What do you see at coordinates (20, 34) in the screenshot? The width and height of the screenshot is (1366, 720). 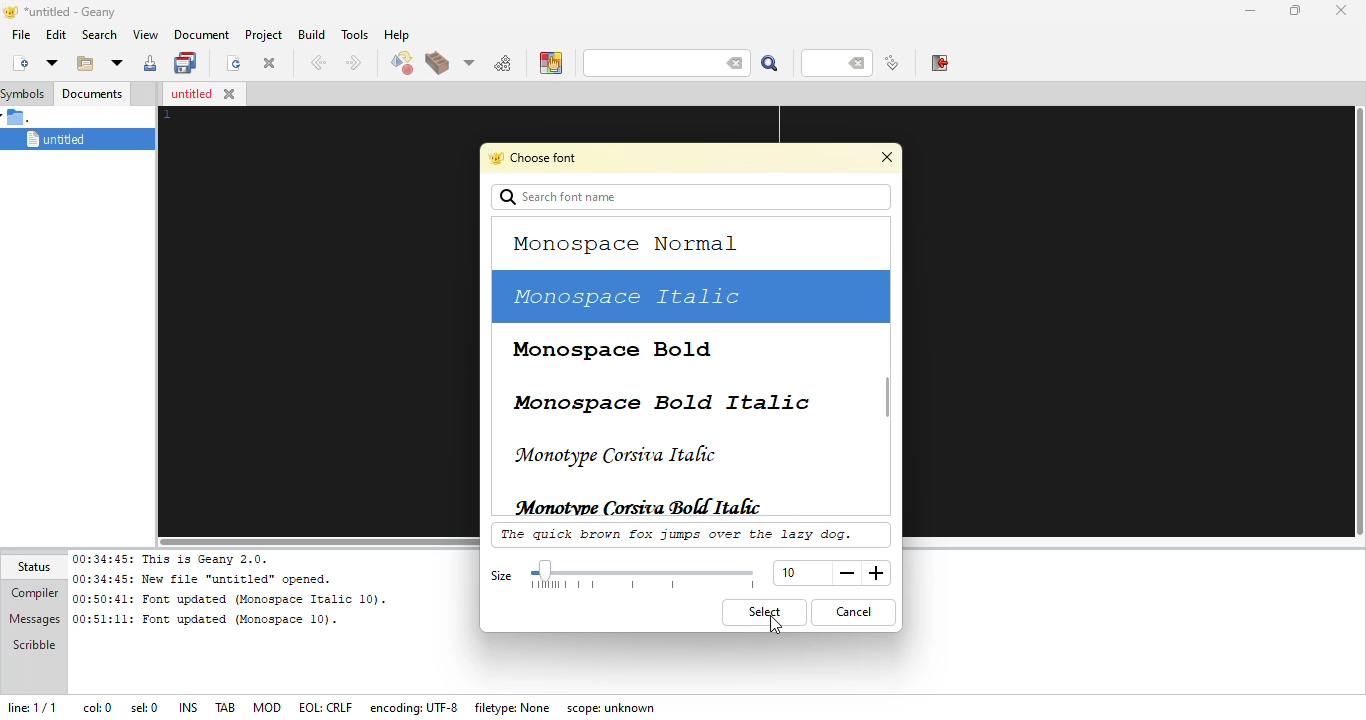 I see `file` at bounding box center [20, 34].